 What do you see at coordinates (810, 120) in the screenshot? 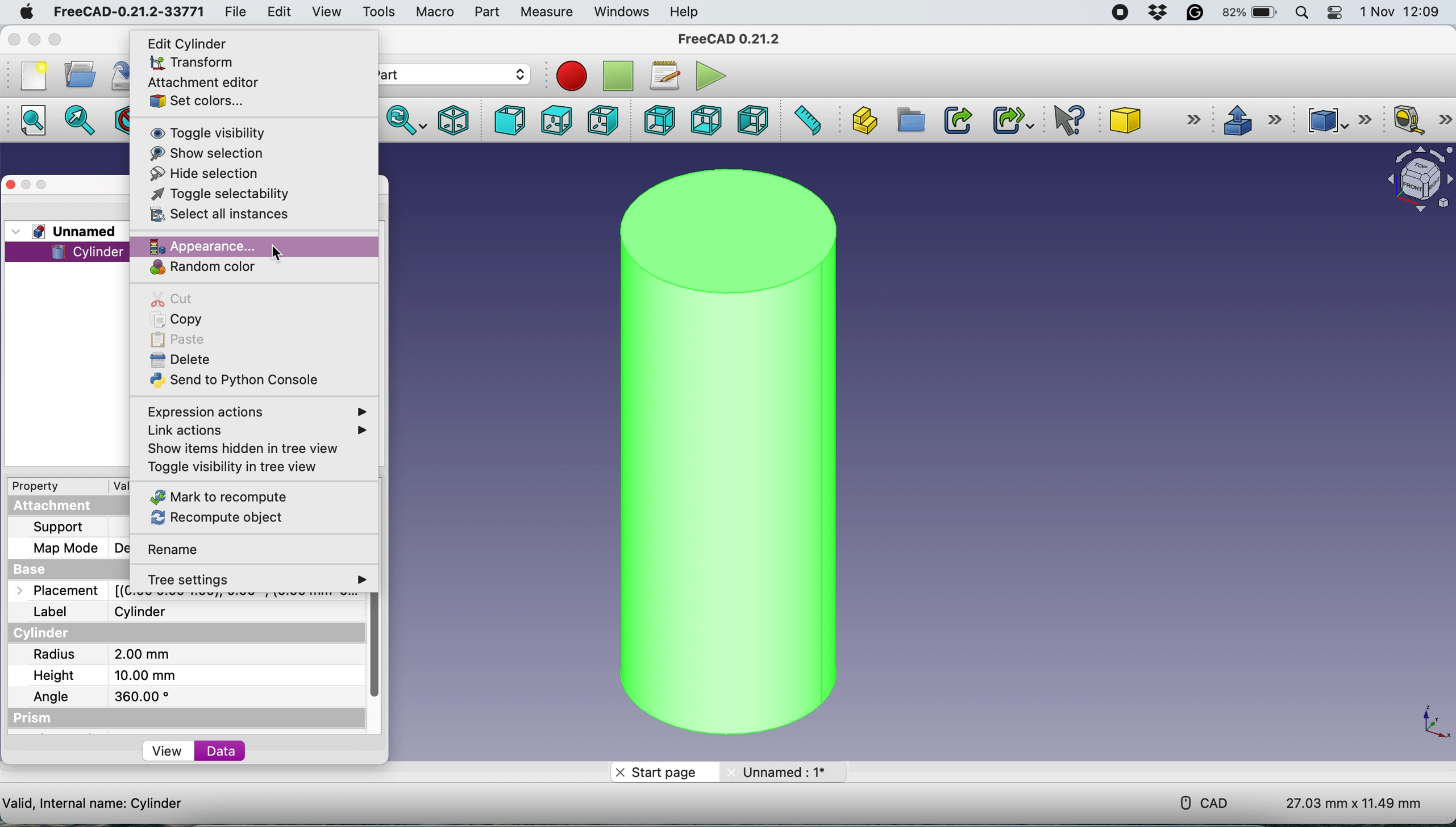
I see `measure distance` at bounding box center [810, 120].